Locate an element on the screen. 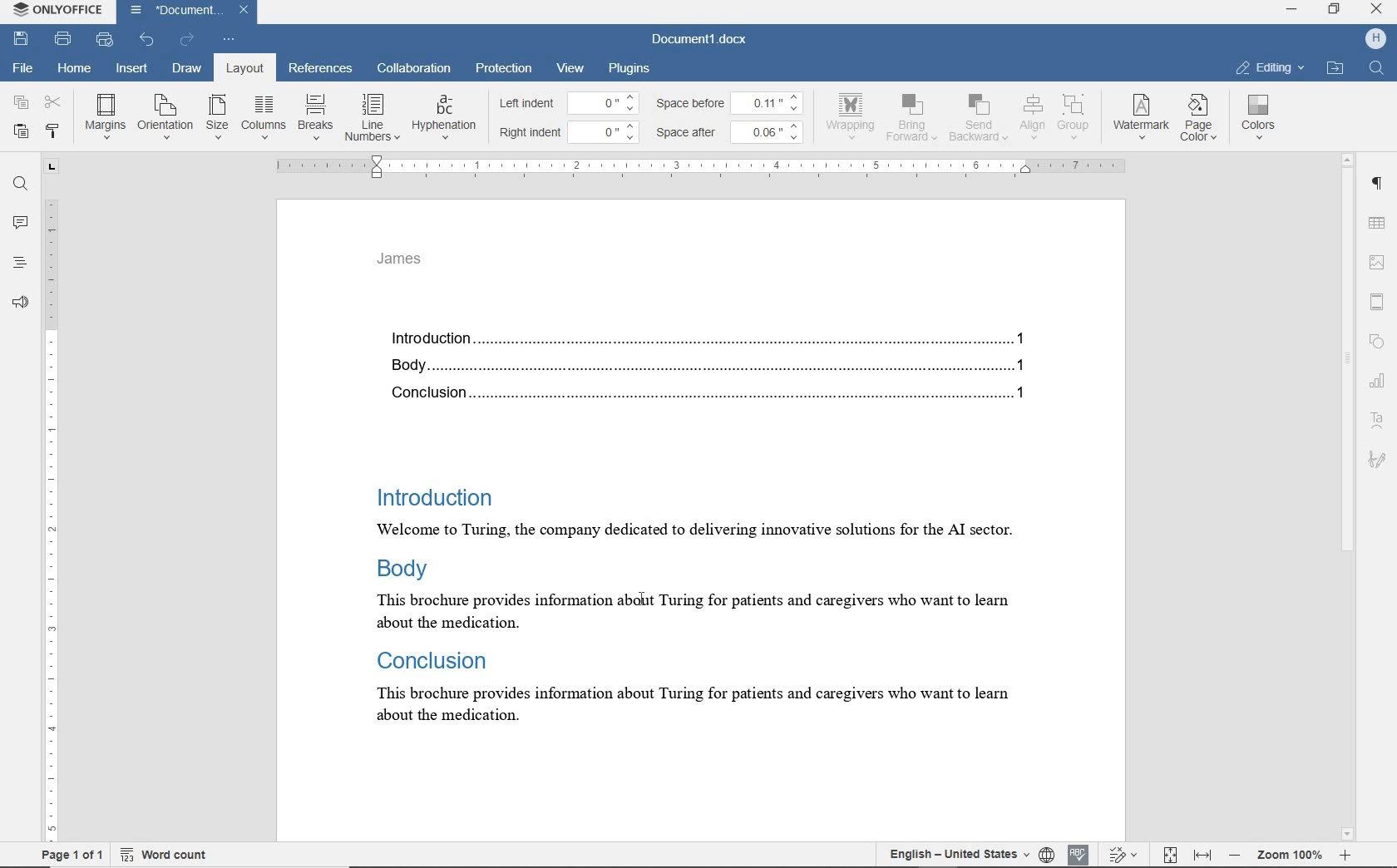 This screenshot has height=868, width=1397. MINIMIZE is located at coordinates (1291, 10).